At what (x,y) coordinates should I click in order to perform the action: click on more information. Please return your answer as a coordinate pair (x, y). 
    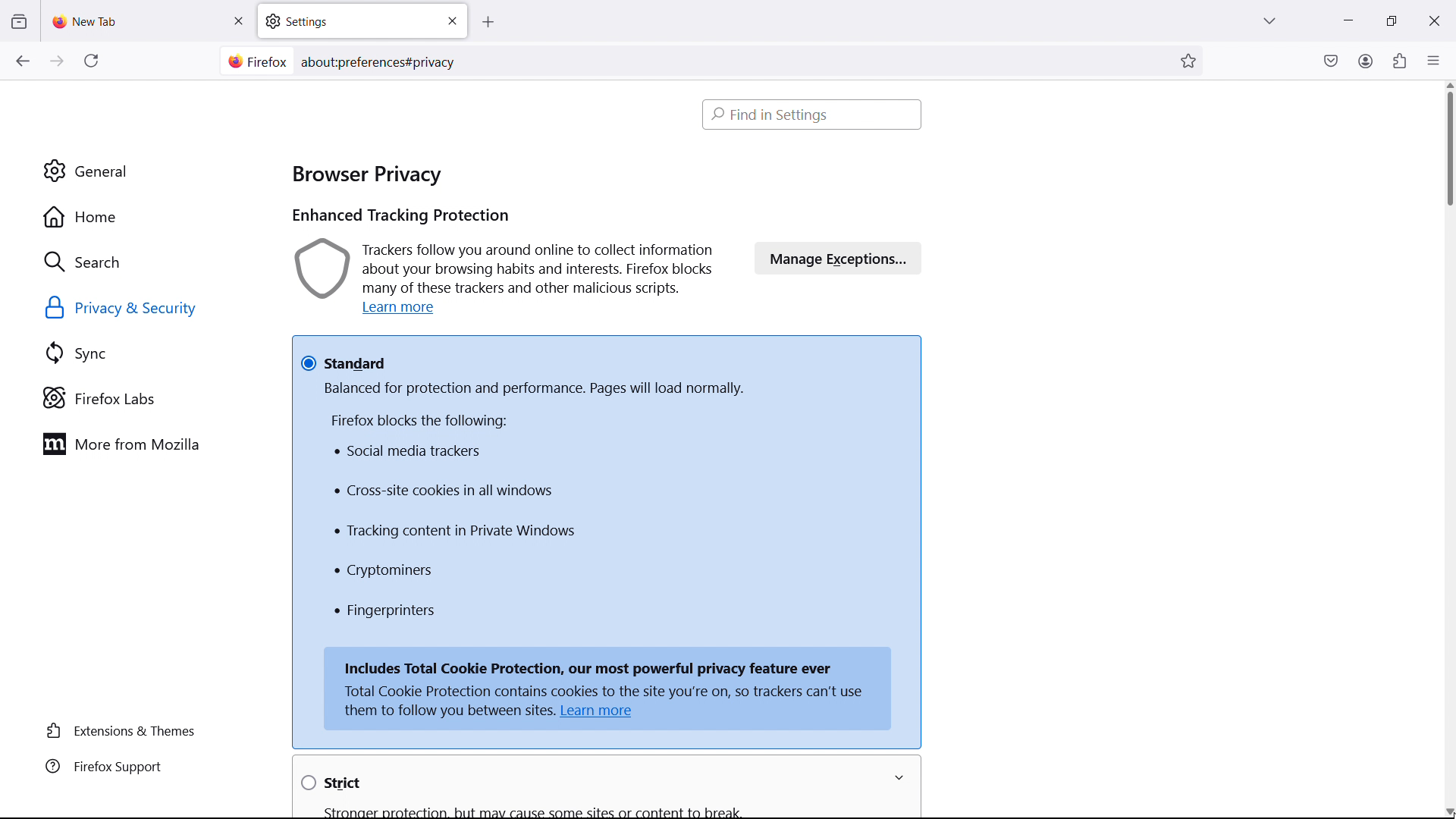
    Looking at the image, I should click on (907, 778).